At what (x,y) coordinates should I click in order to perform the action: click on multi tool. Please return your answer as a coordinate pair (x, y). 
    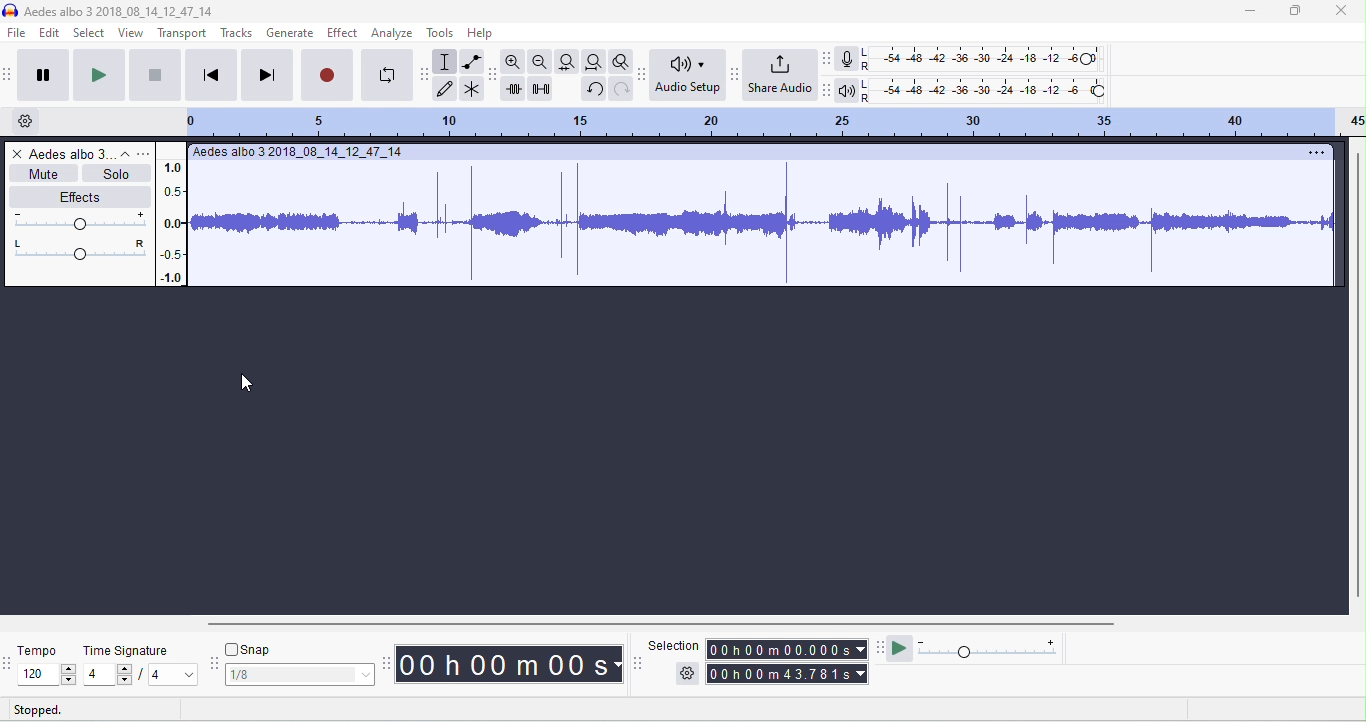
    Looking at the image, I should click on (472, 90).